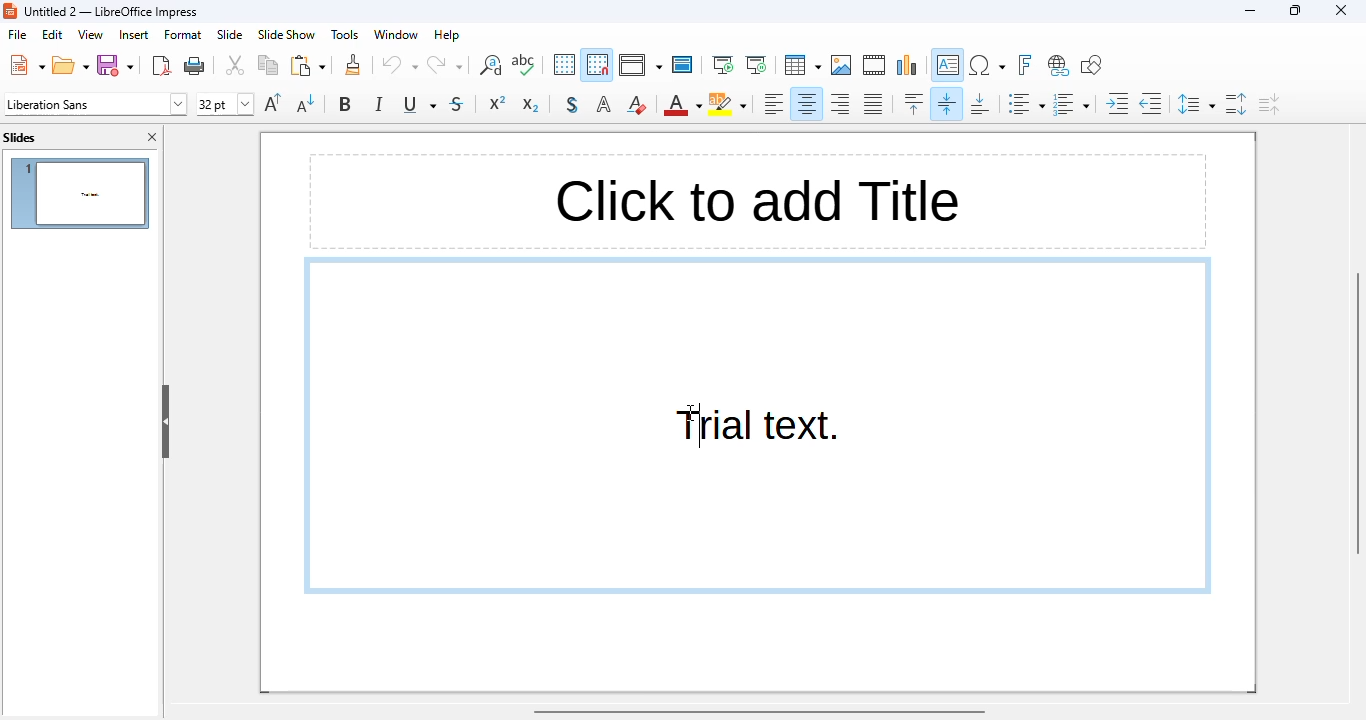 This screenshot has width=1366, height=720. I want to click on cut, so click(236, 65).